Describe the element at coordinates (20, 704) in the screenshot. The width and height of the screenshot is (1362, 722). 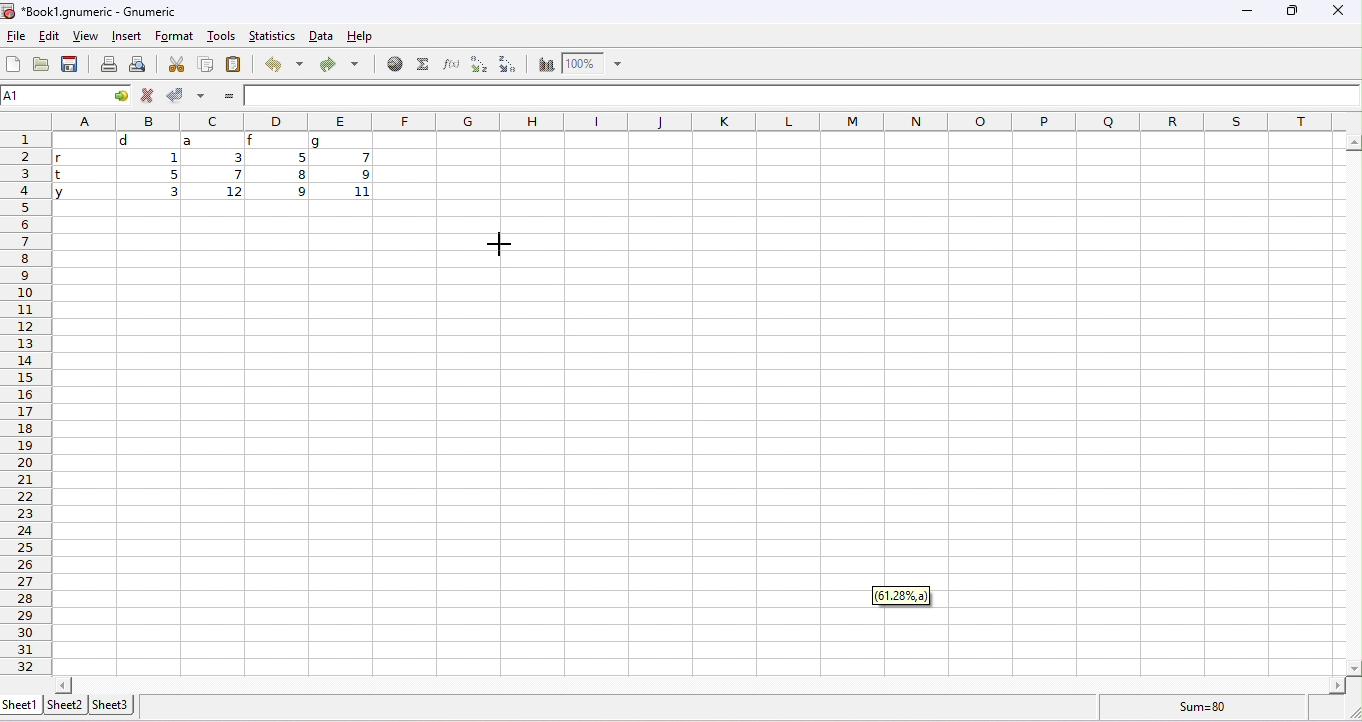
I see `sheet1` at that location.